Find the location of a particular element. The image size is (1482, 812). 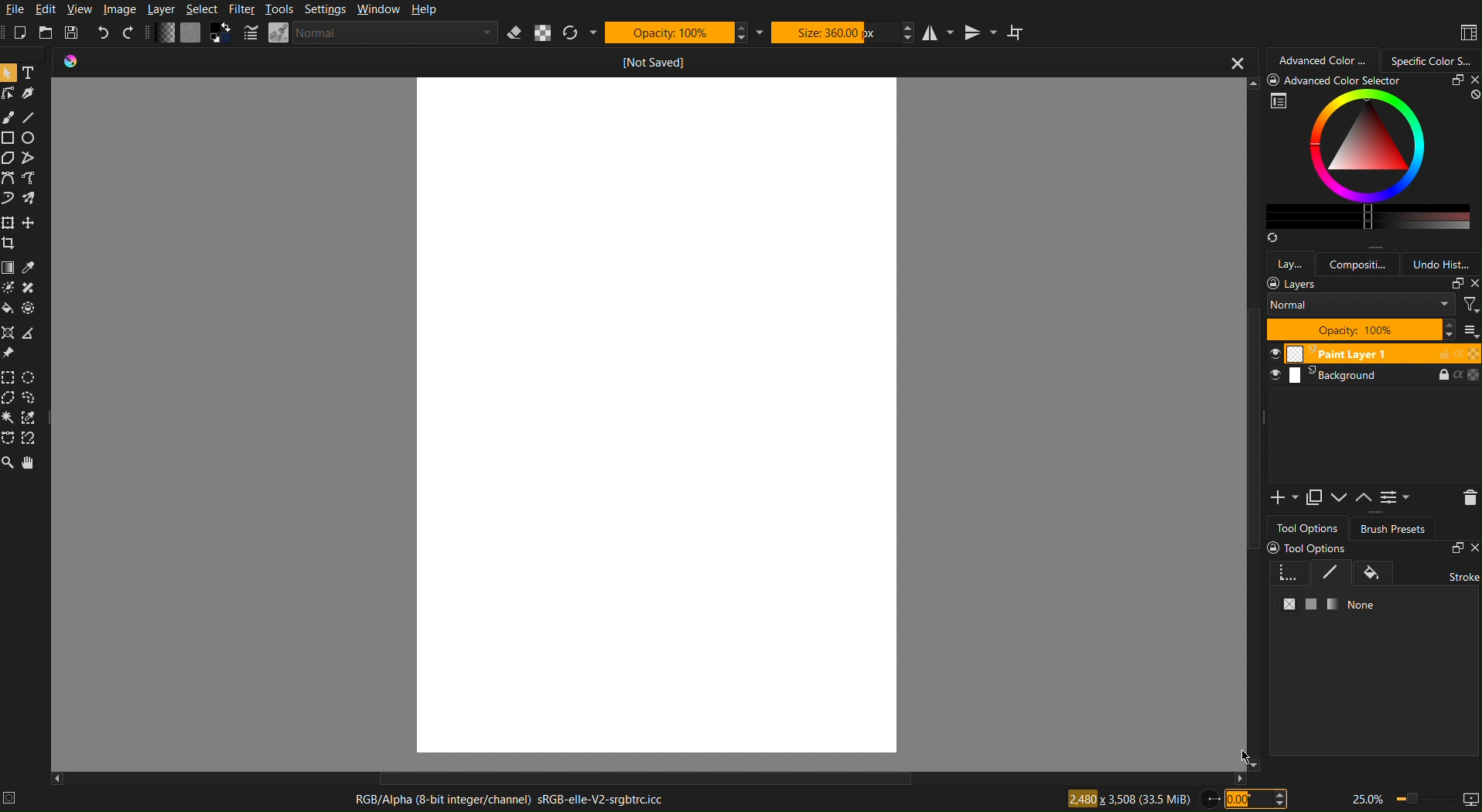

Delete is located at coordinates (1467, 498).